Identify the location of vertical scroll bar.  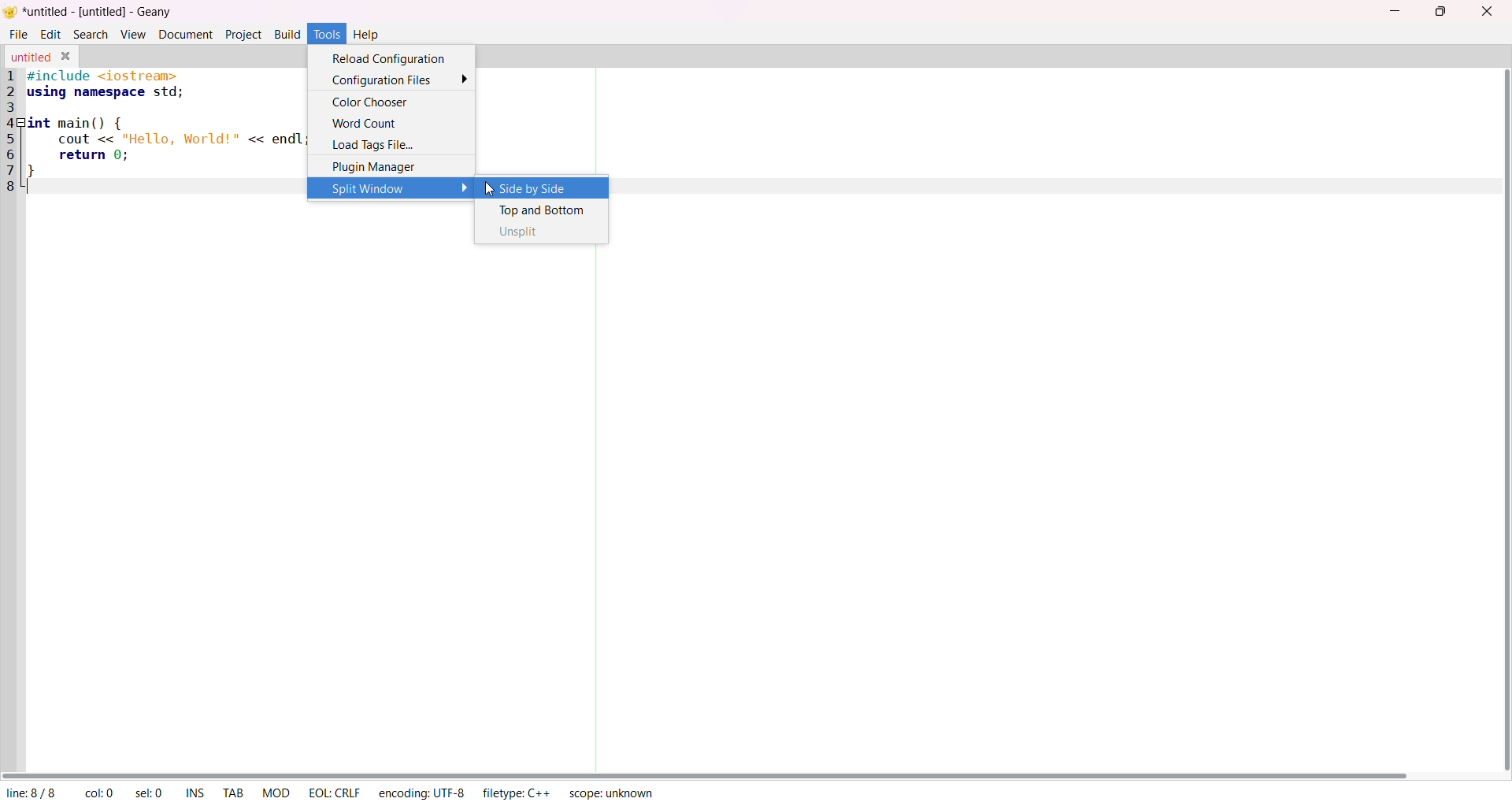
(1502, 421).